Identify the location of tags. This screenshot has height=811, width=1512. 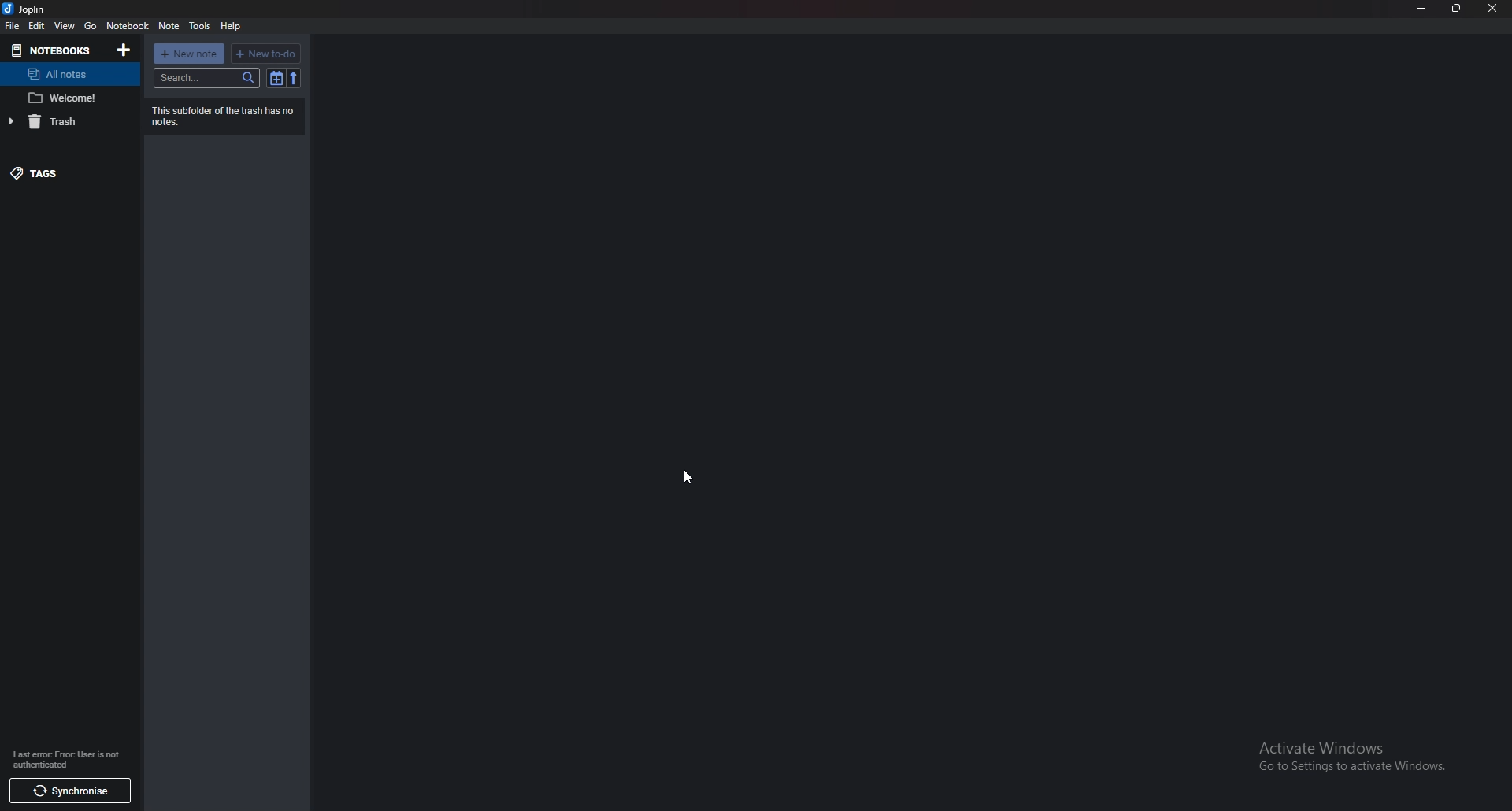
(68, 173).